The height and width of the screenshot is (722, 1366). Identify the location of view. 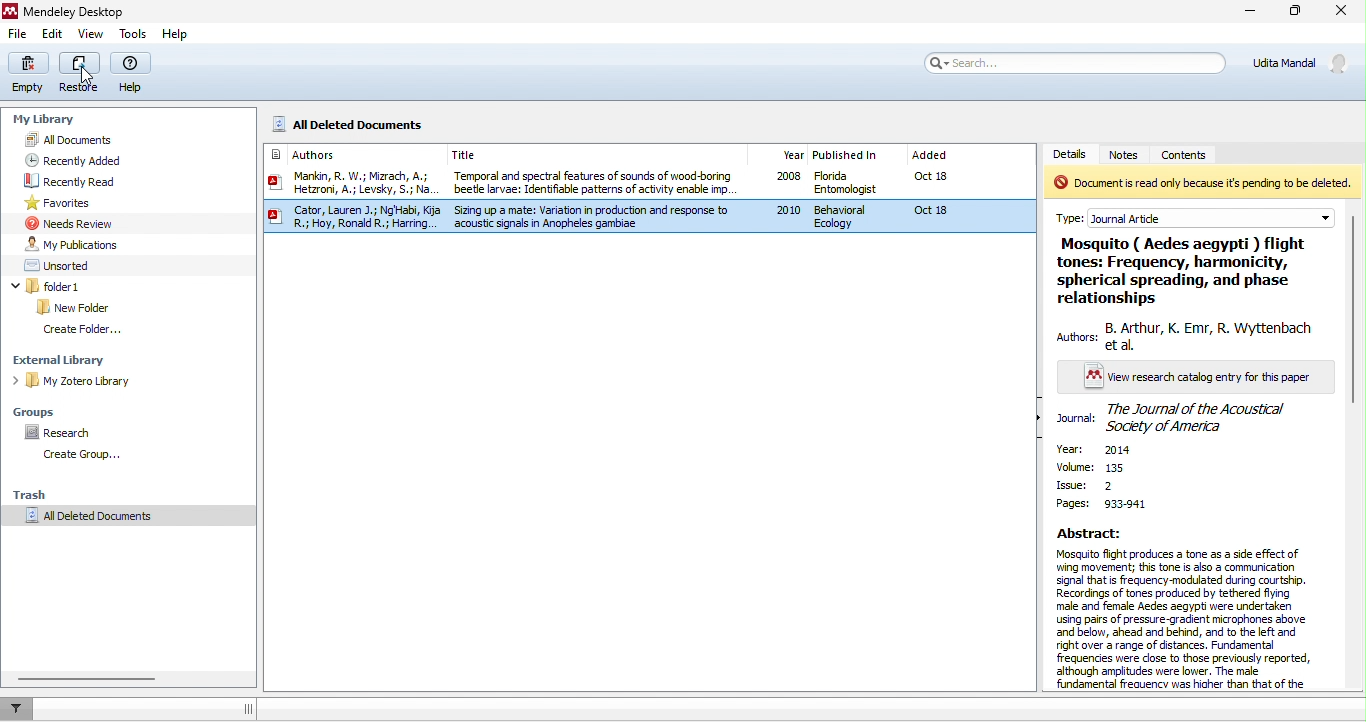
(90, 35).